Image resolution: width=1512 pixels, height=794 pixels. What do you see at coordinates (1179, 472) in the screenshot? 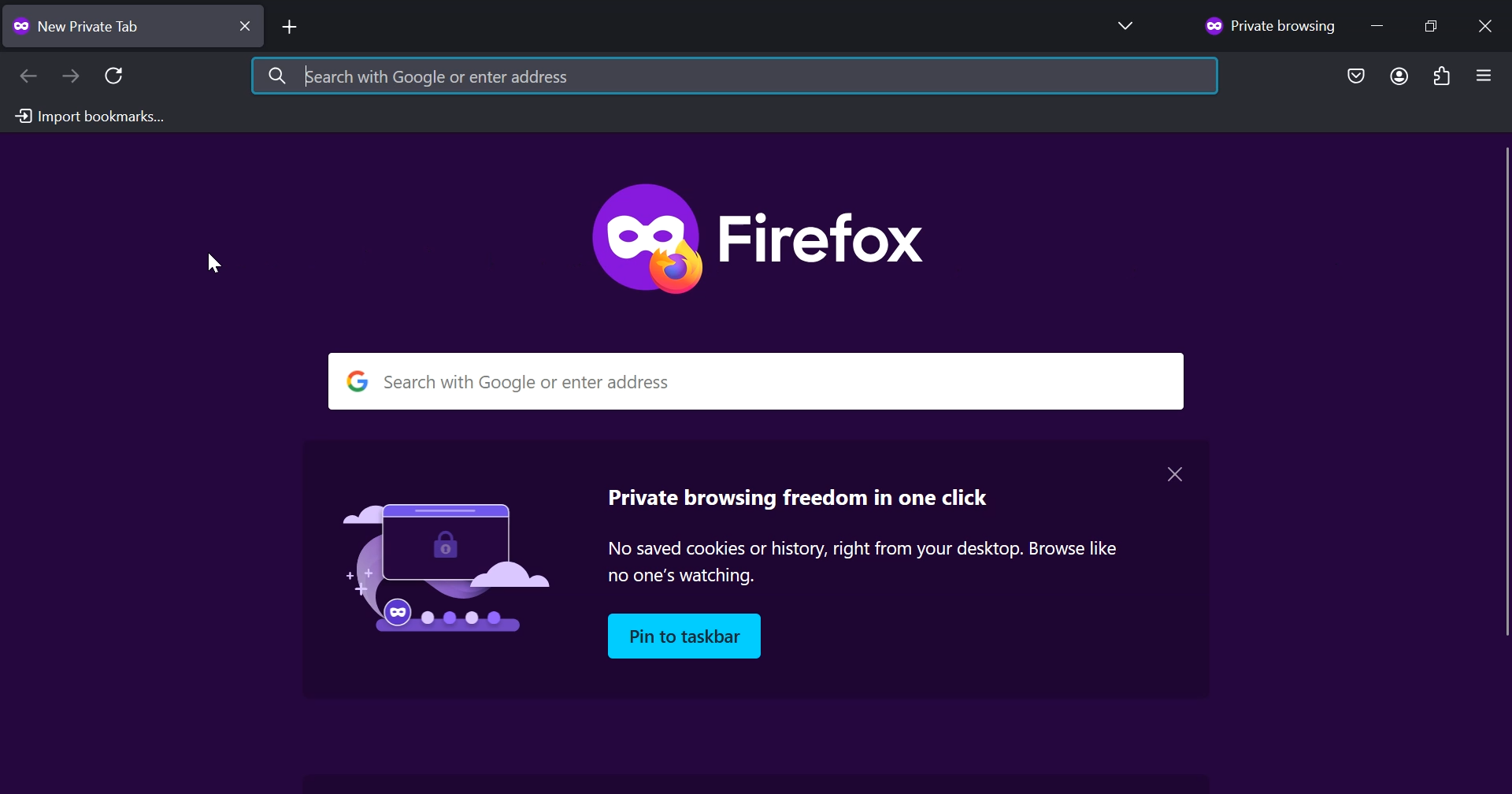
I see `close` at bounding box center [1179, 472].